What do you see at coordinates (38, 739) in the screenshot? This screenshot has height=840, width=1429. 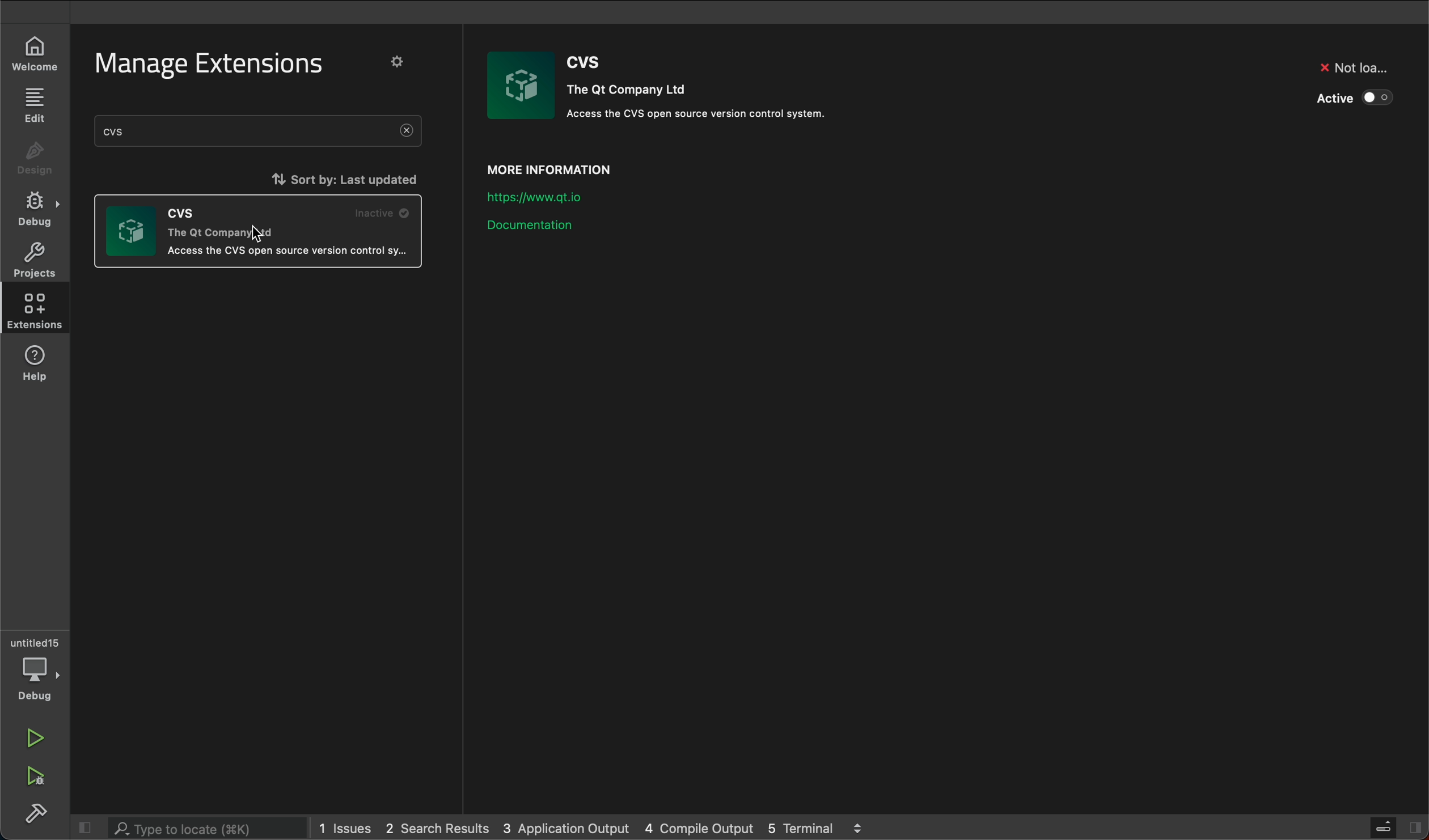 I see `run` at bounding box center [38, 739].